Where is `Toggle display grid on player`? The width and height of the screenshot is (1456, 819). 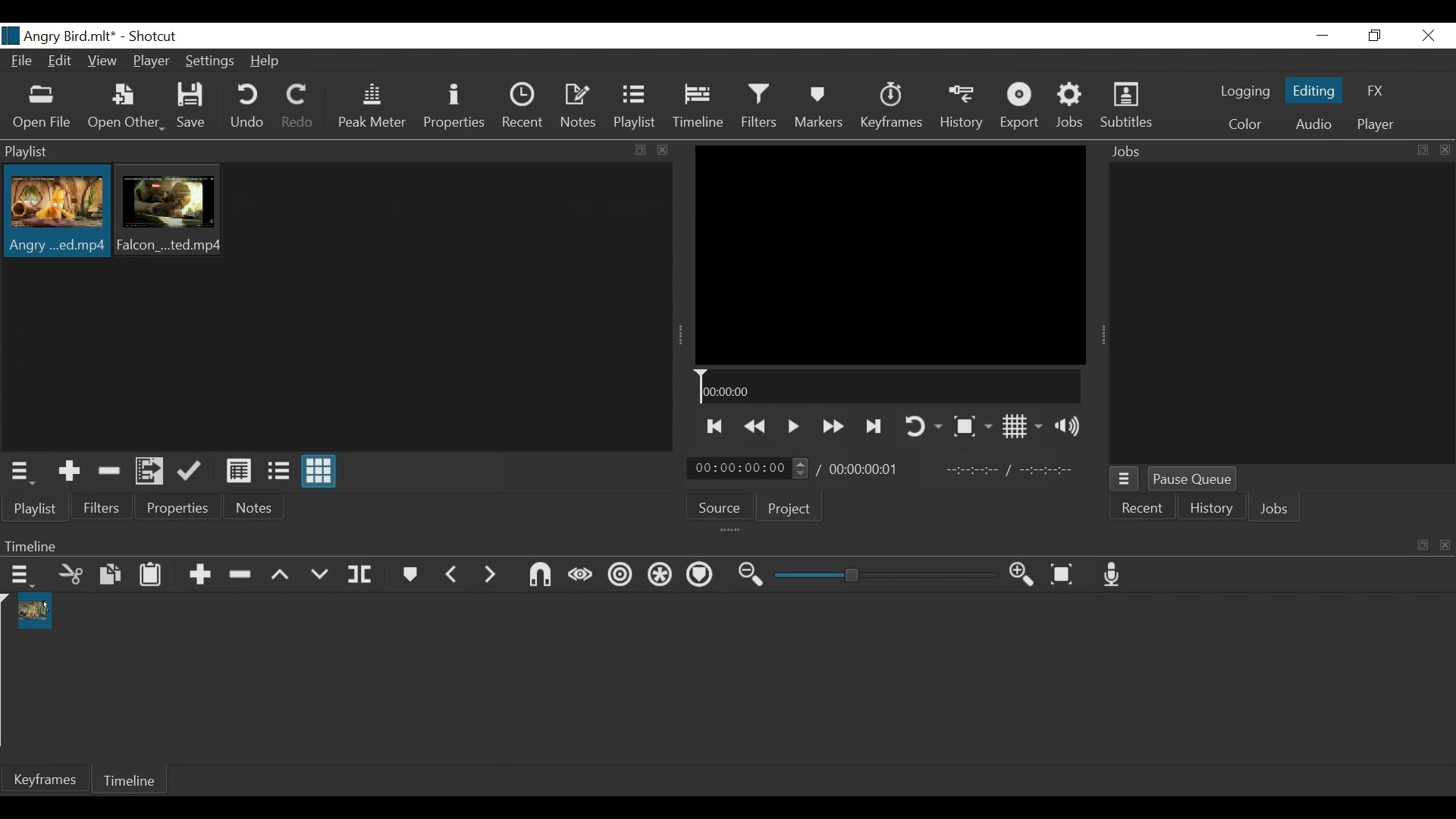
Toggle display grid on player is located at coordinates (1023, 427).